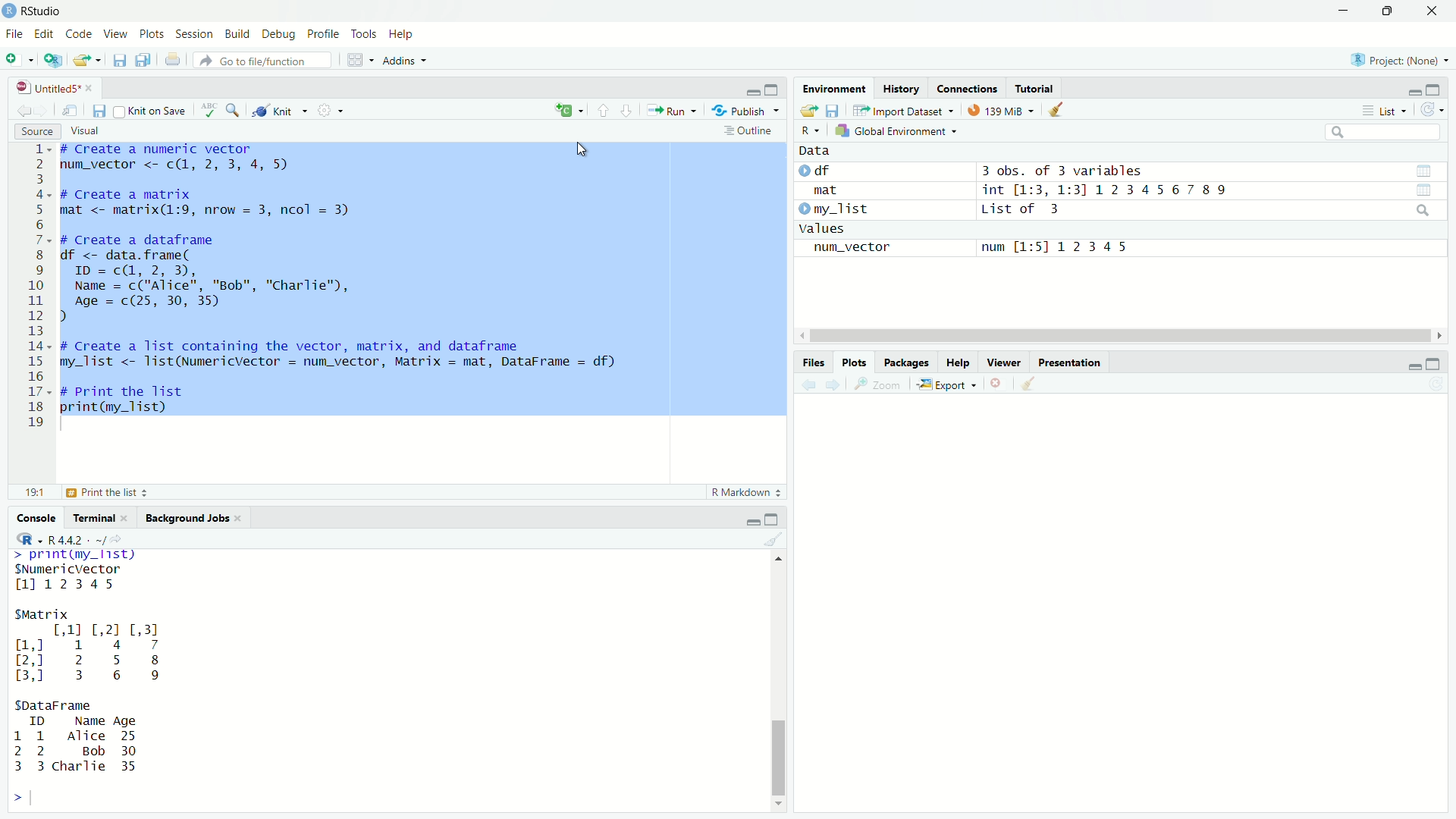  I want to click on Addins, so click(405, 61).